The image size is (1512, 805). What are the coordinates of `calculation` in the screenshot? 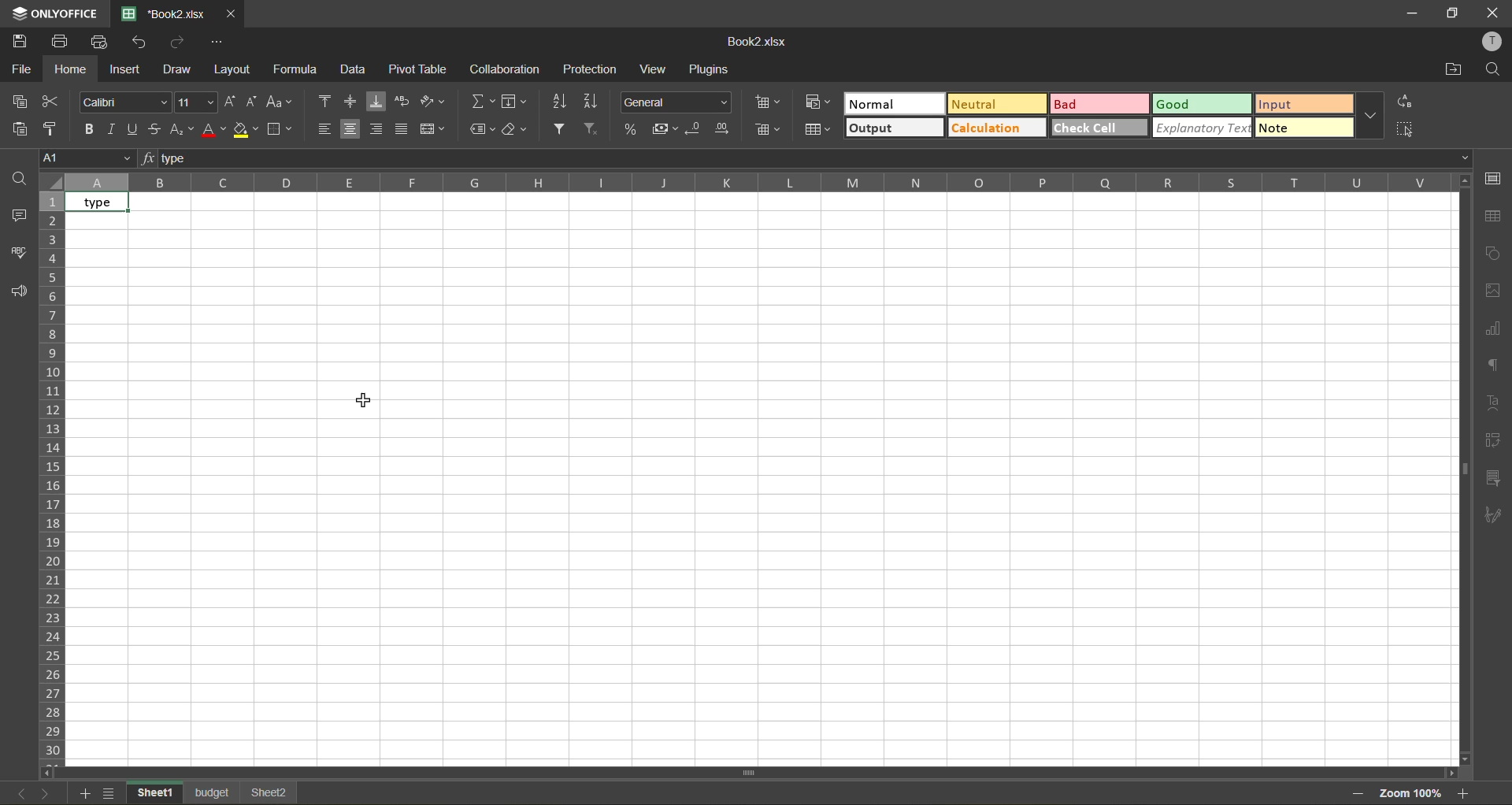 It's located at (995, 129).